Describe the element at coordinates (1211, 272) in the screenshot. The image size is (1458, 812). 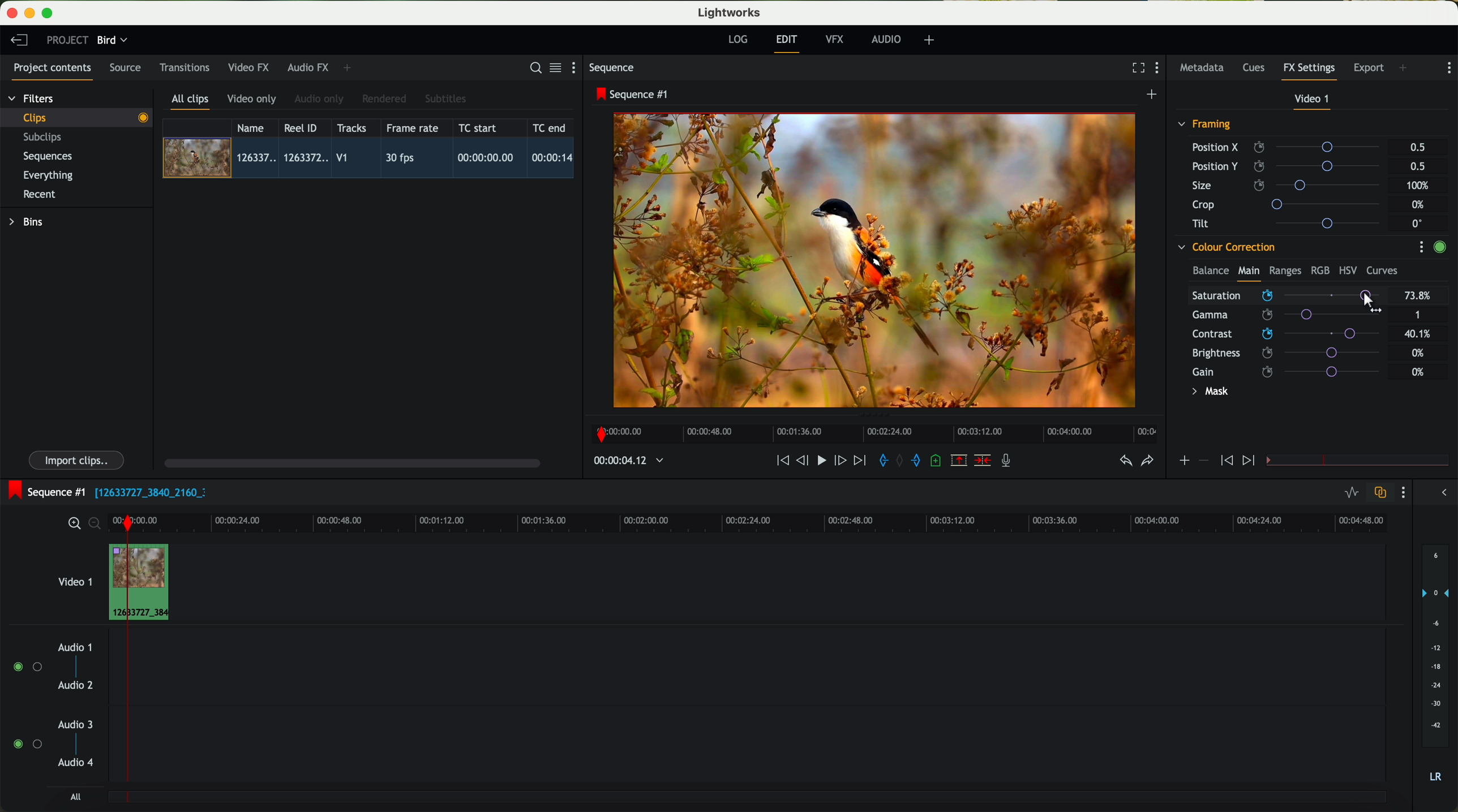
I see `balance` at that location.